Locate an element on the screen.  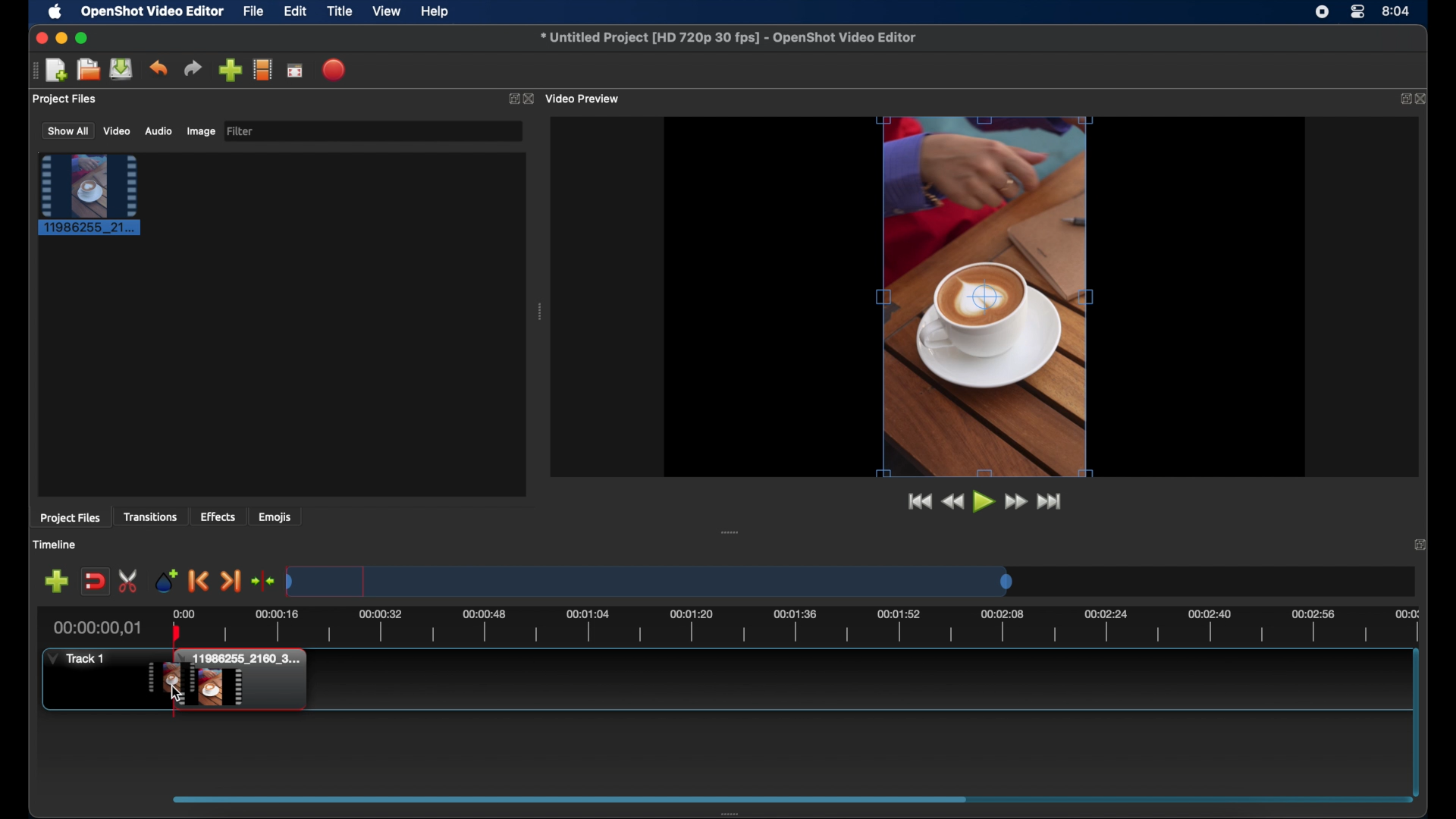
save project is located at coordinates (122, 69).